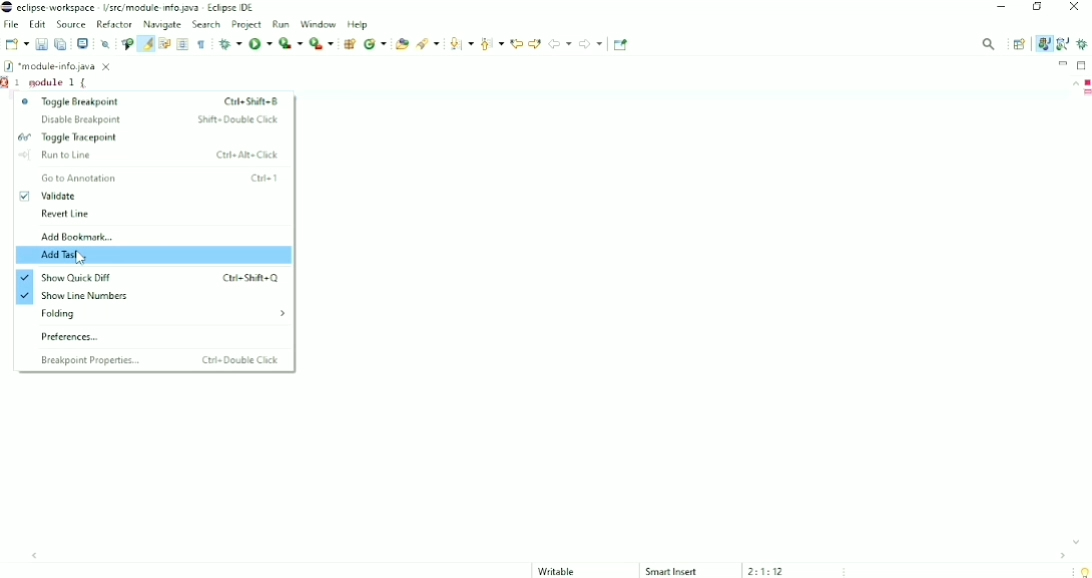 The height and width of the screenshot is (578, 1092). What do you see at coordinates (260, 43) in the screenshot?
I see `Run` at bounding box center [260, 43].